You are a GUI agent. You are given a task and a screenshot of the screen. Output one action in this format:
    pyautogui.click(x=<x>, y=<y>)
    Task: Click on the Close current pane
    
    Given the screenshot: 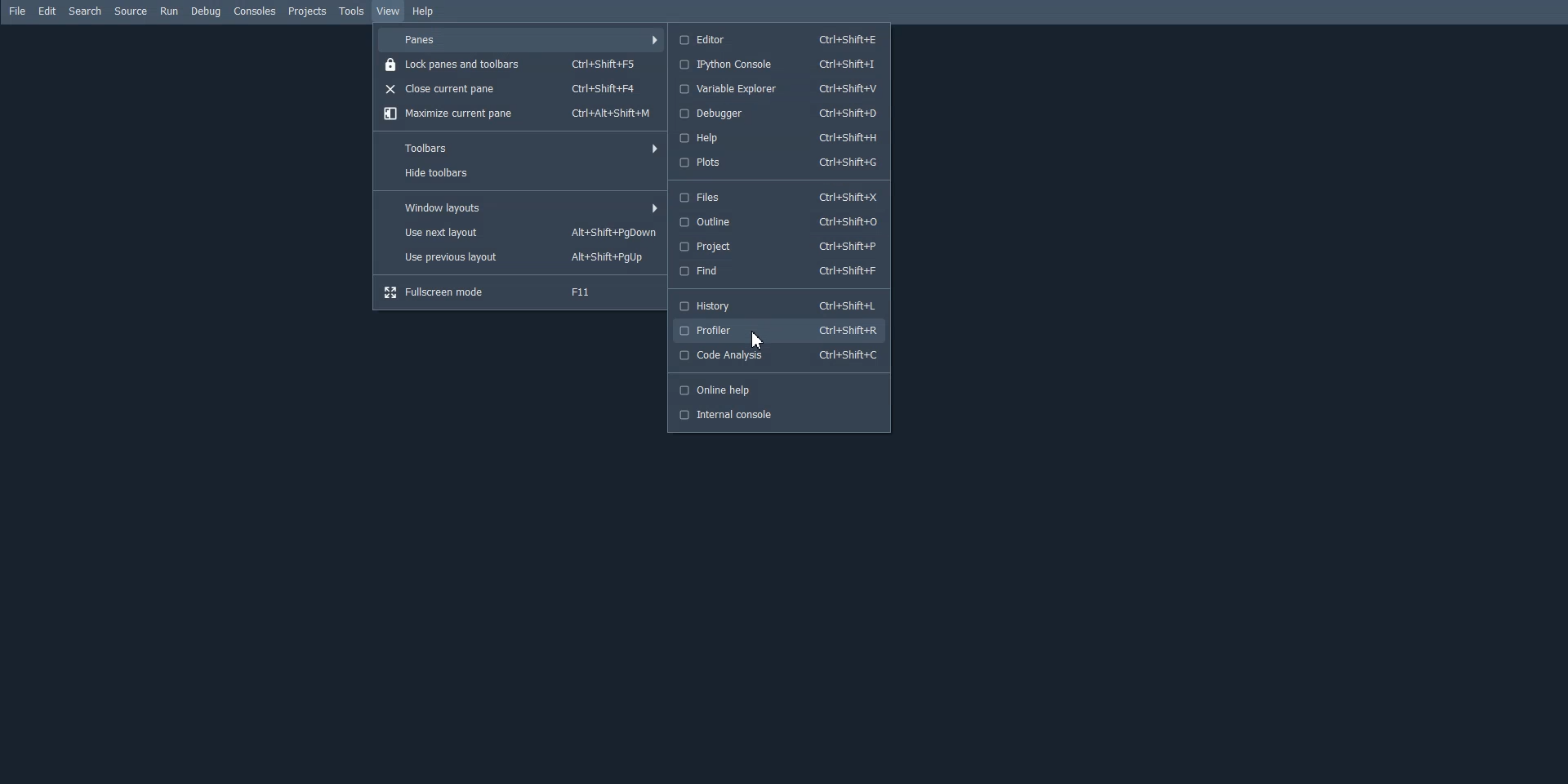 What is the action you would take?
    pyautogui.click(x=523, y=88)
    